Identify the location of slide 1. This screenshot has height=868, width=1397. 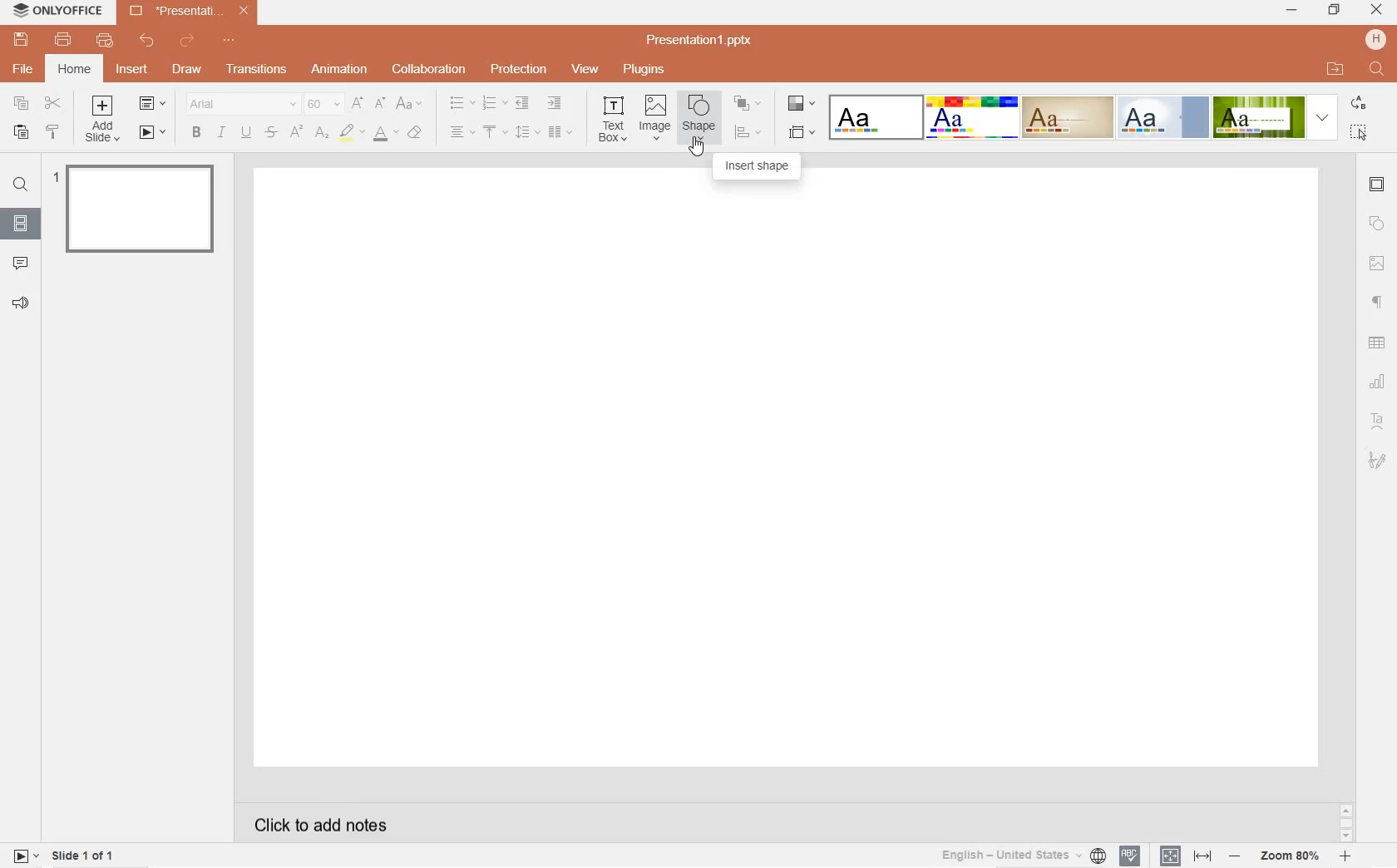
(138, 207).